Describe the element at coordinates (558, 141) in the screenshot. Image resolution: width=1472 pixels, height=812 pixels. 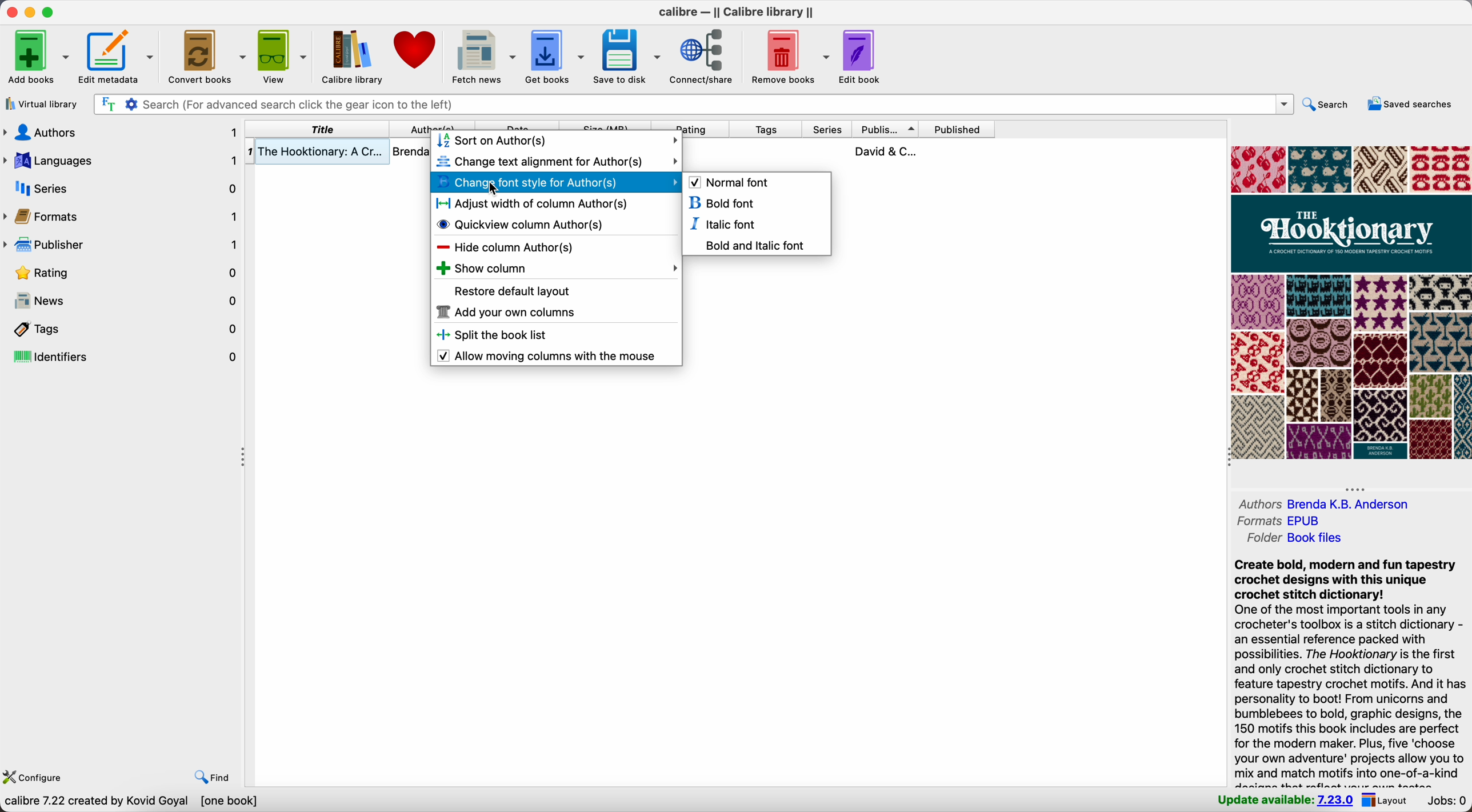
I see `sort on author(s)` at that location.